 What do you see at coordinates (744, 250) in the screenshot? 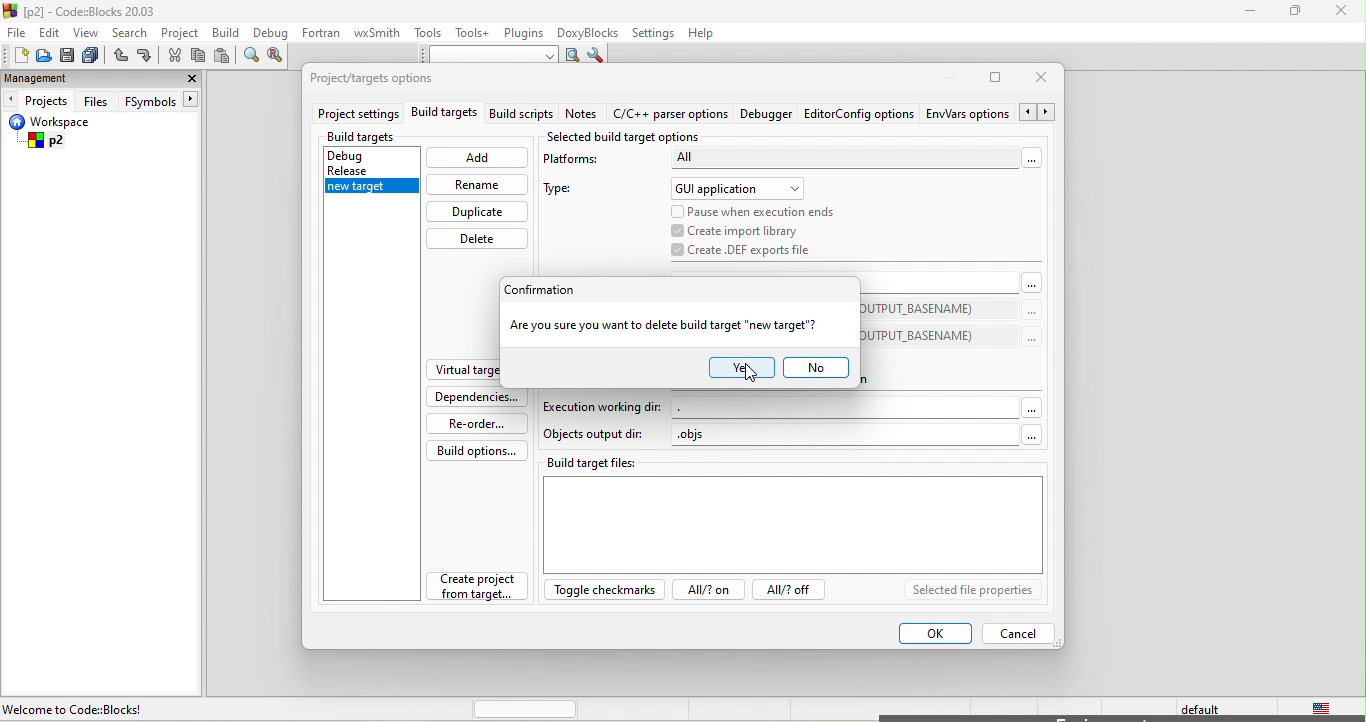
I see `create def exports file` at bounding box center [744, 250].